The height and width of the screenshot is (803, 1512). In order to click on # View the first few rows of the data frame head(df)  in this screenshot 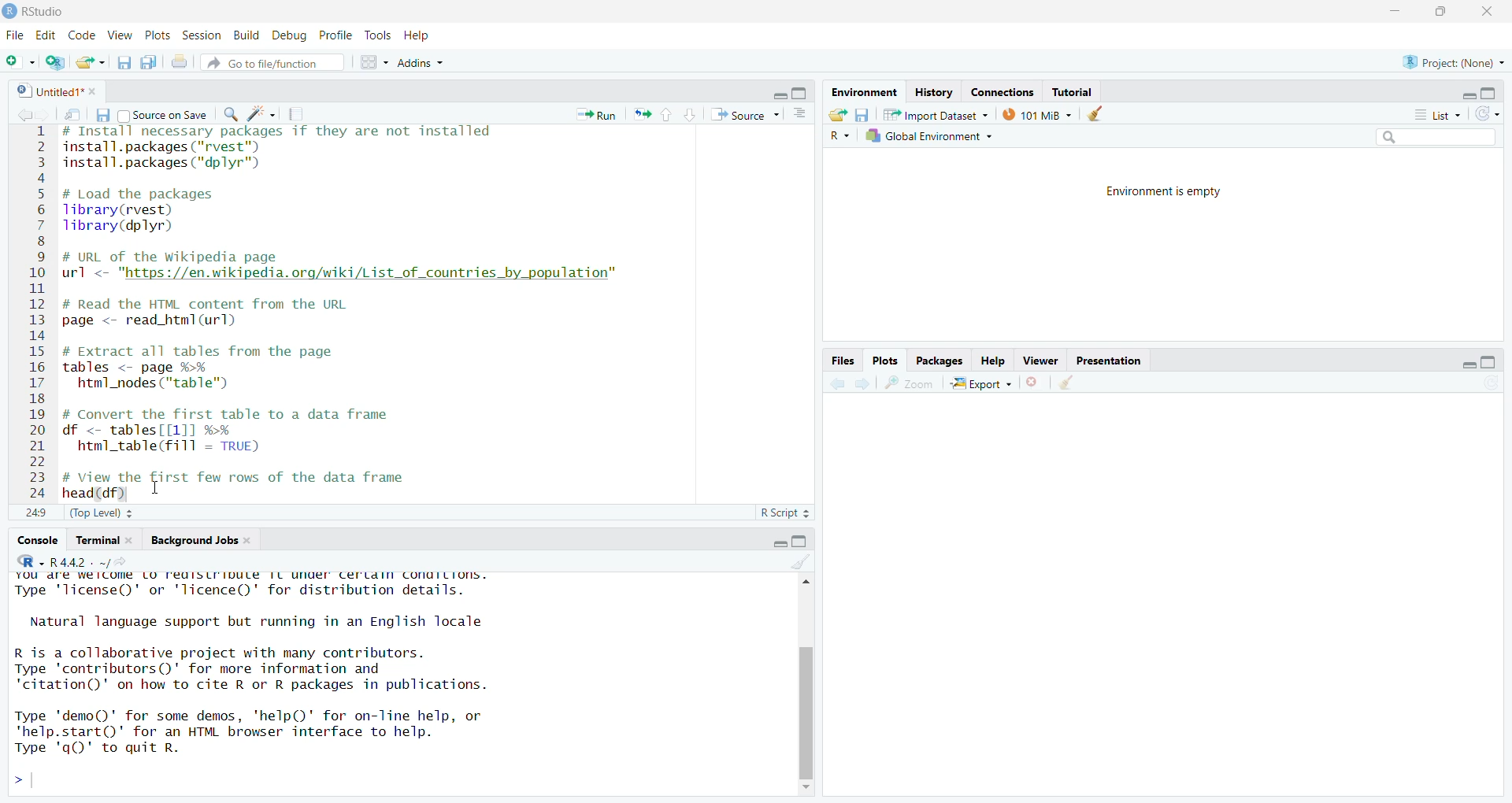, I will do `click(255, 485)`.